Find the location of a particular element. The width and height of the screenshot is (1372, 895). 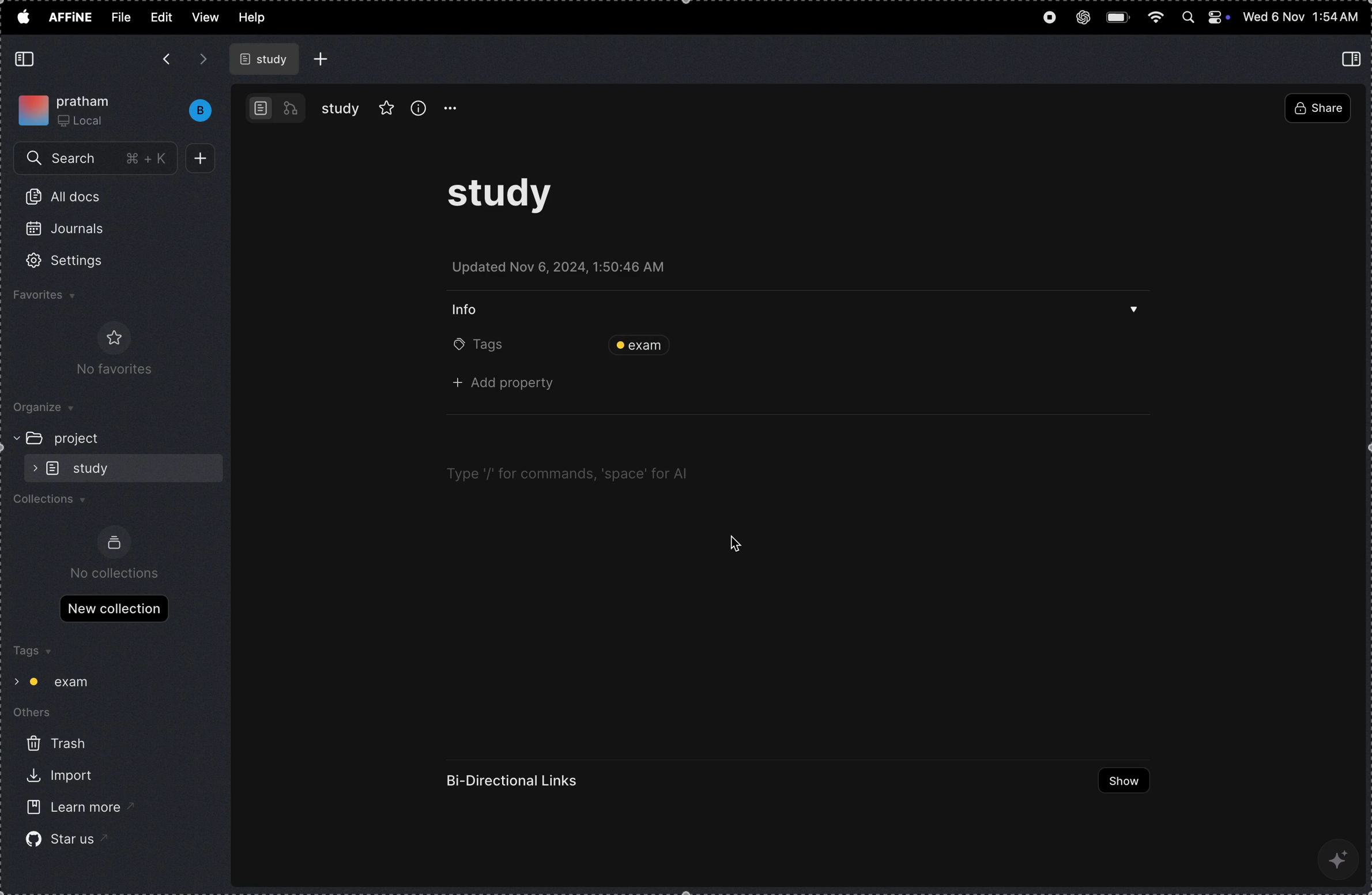

star as is located at coordinates (60, 838).